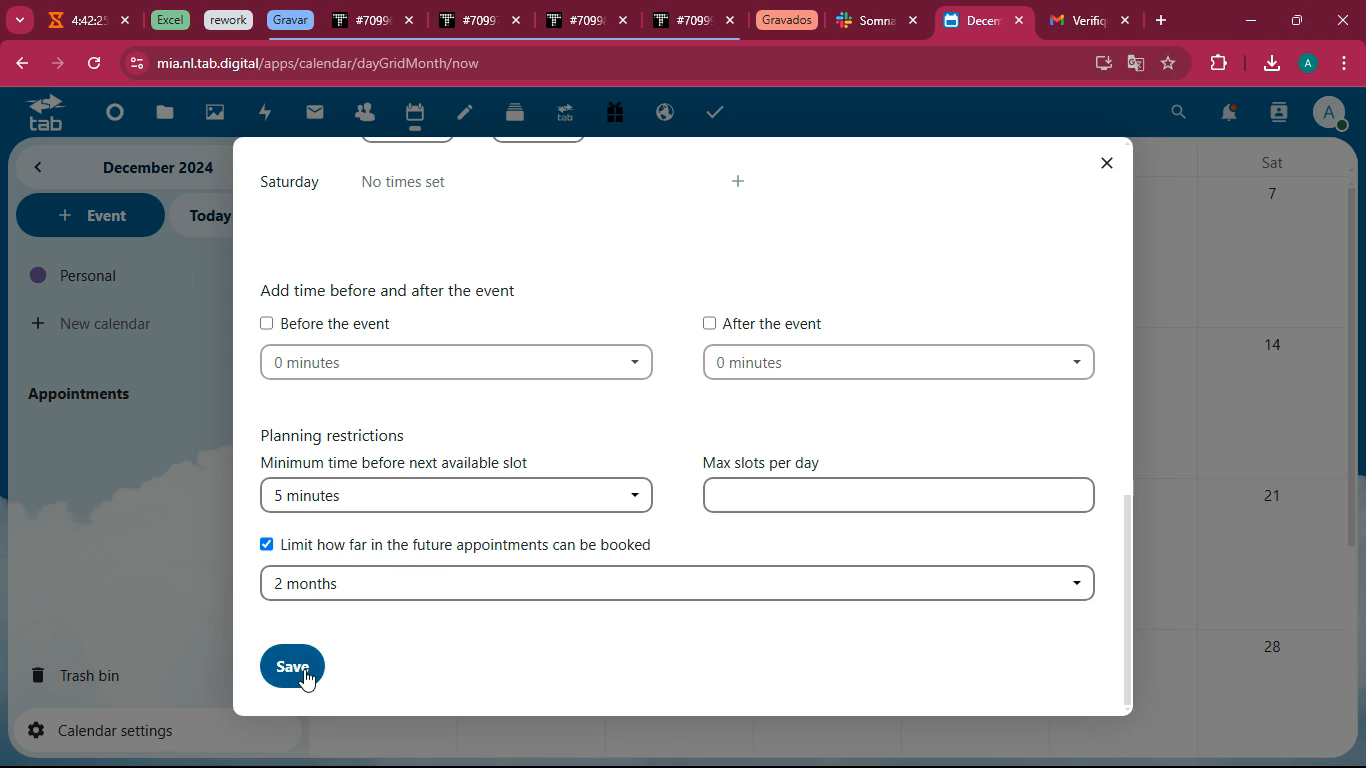  I want to click on time, so click(458, 365).